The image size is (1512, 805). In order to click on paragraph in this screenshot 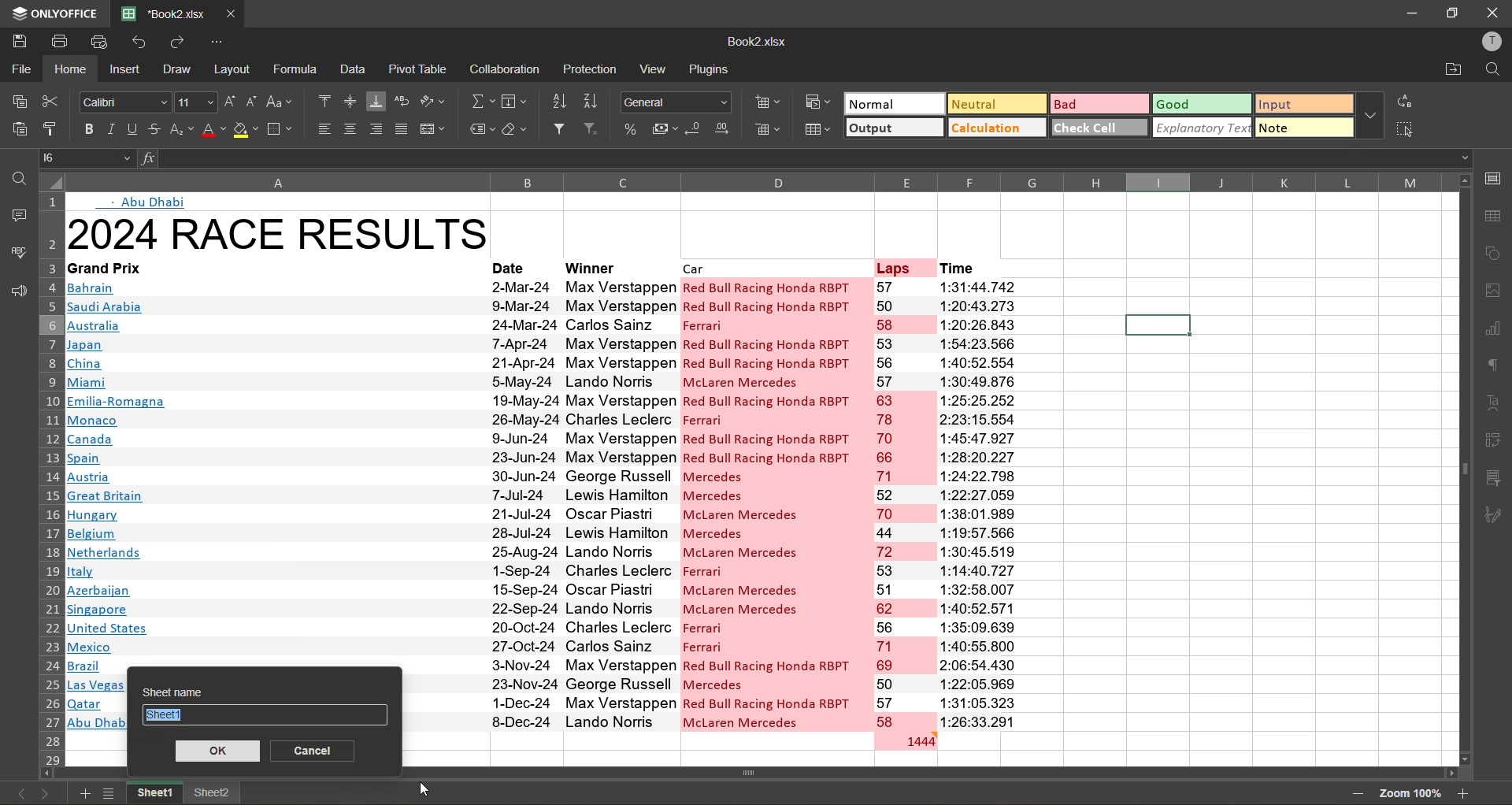, I will do `click(1495, 368)`.